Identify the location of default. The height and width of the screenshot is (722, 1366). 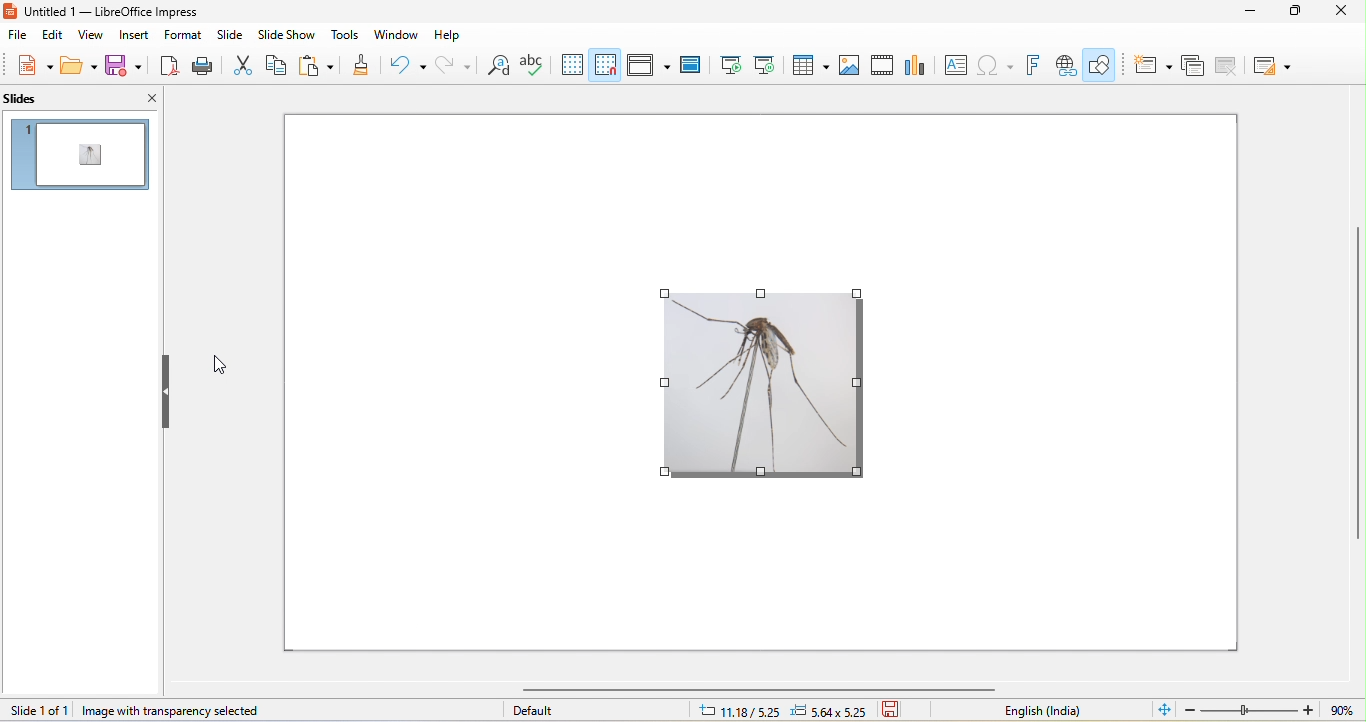
(539, 709).